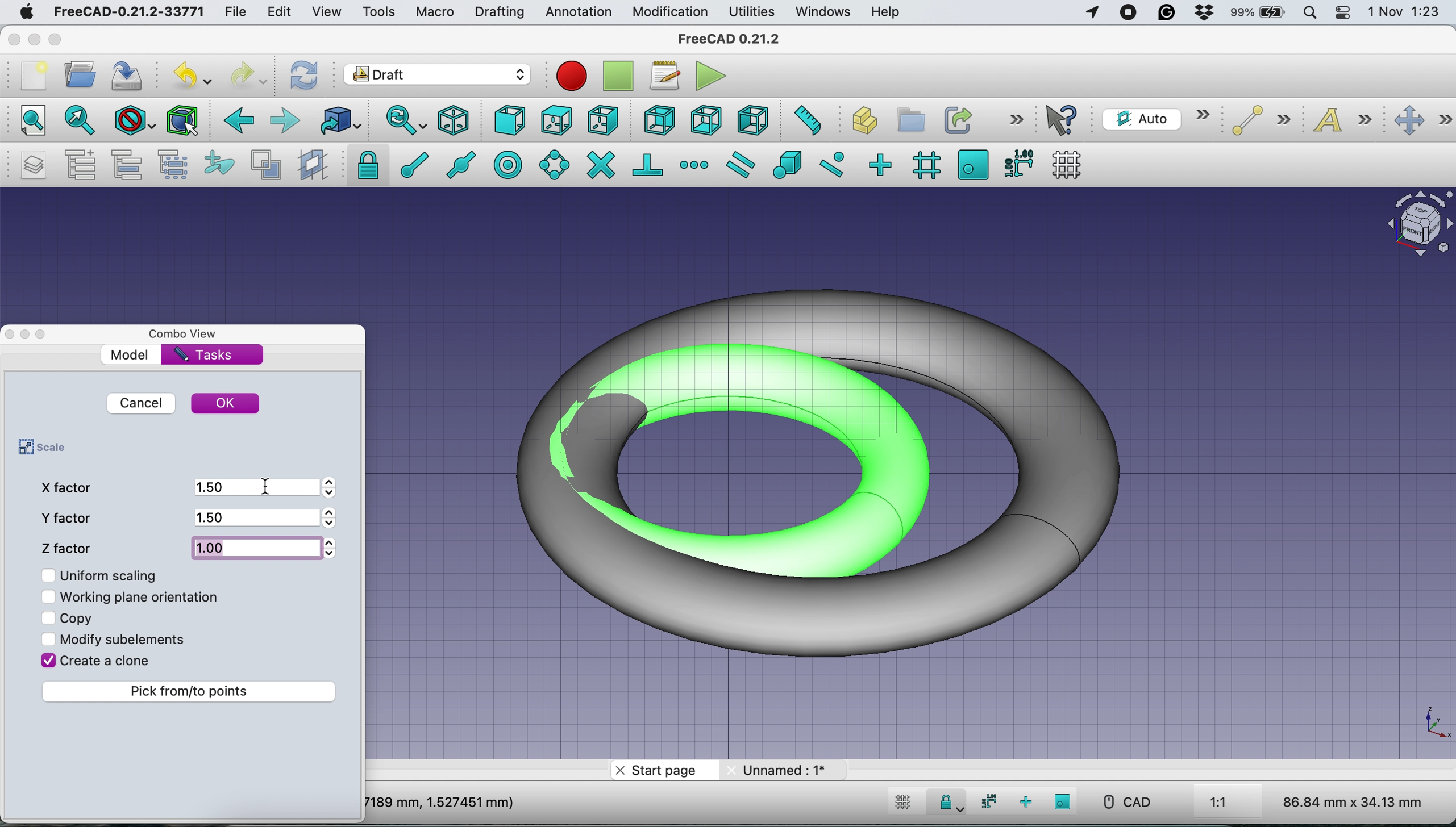 This screenshot has width=1456, height=827. I want to click on dropbox, so click(1203, 12).